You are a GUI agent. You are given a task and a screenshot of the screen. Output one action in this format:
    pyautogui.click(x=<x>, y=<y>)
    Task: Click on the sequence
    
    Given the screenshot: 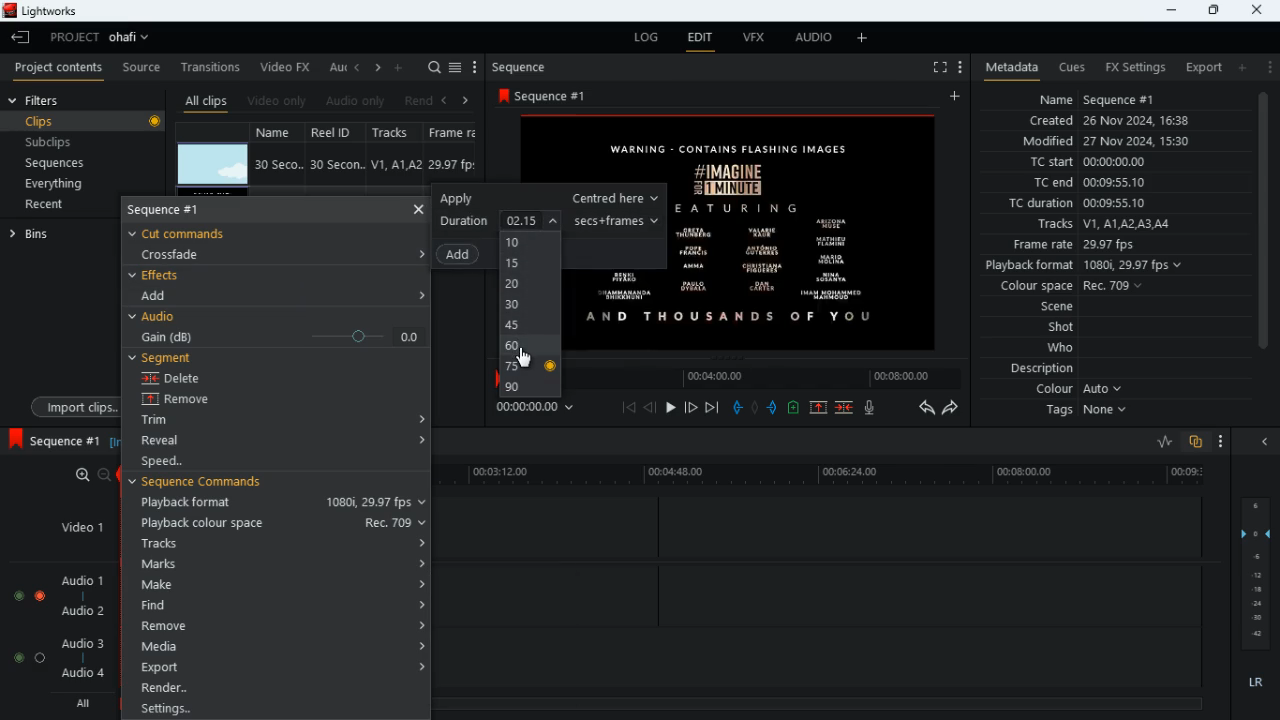 What is the action you would take?
    pyautogui.click(x=181, y=211)
    